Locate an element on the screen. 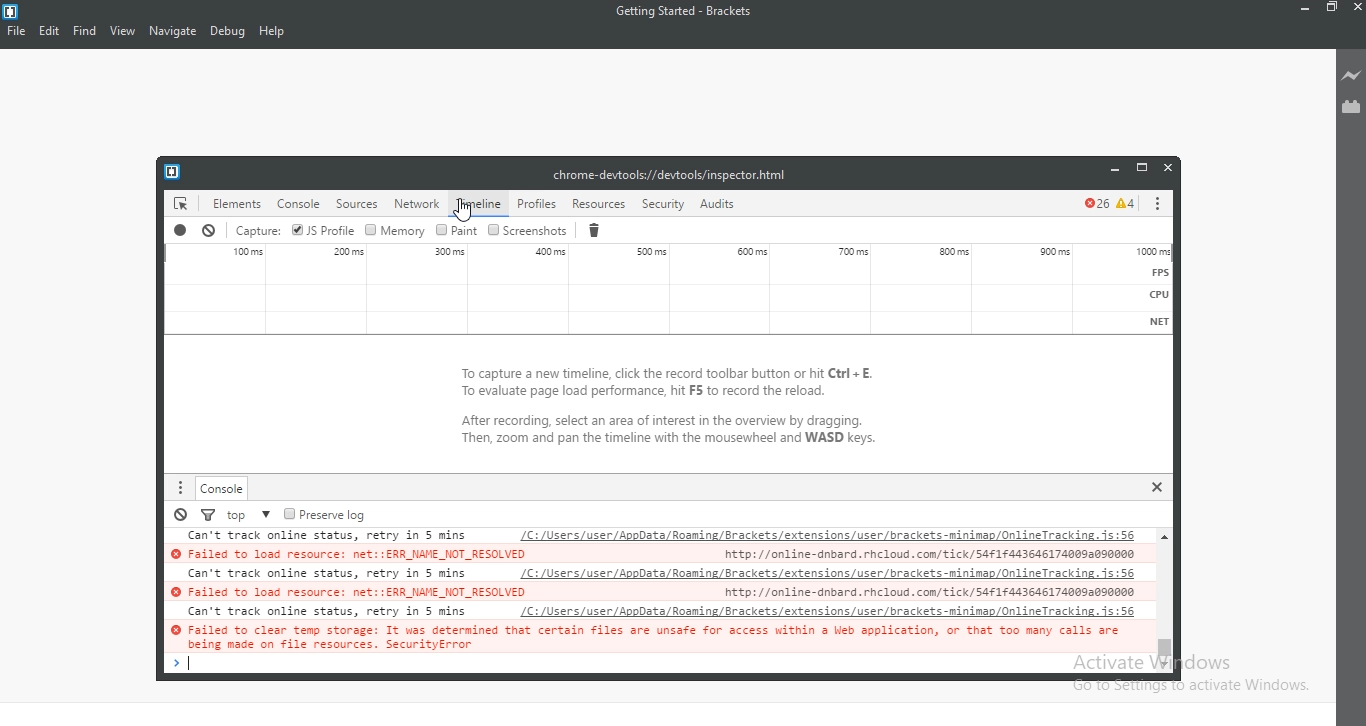  Navigate is located at coordinates (173, 32).